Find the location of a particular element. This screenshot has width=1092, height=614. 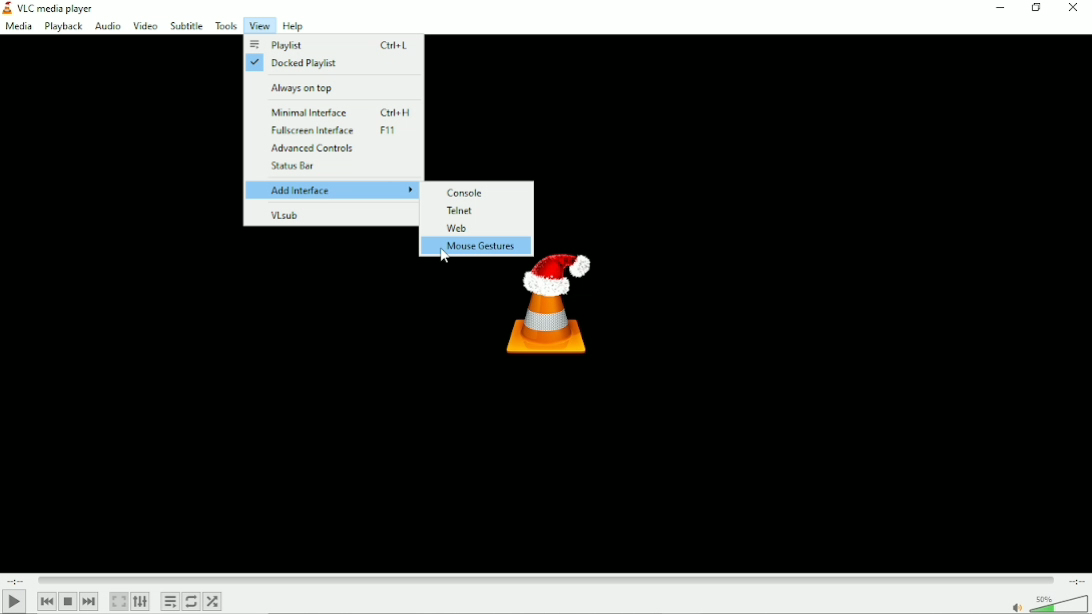

Volume is located at coordinates (1046, 603).